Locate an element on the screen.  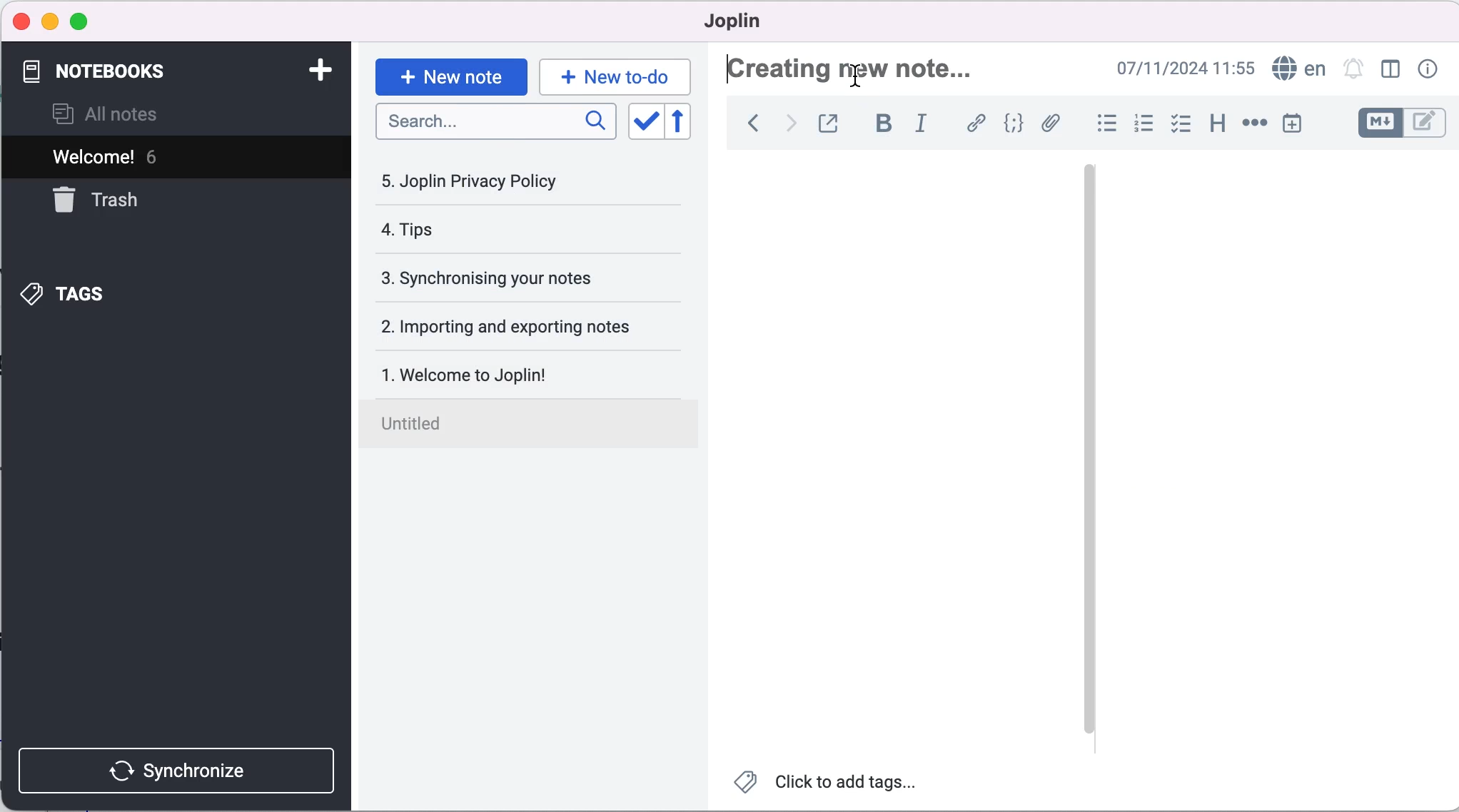
bulleted list is located at coordinates (1101, 123).